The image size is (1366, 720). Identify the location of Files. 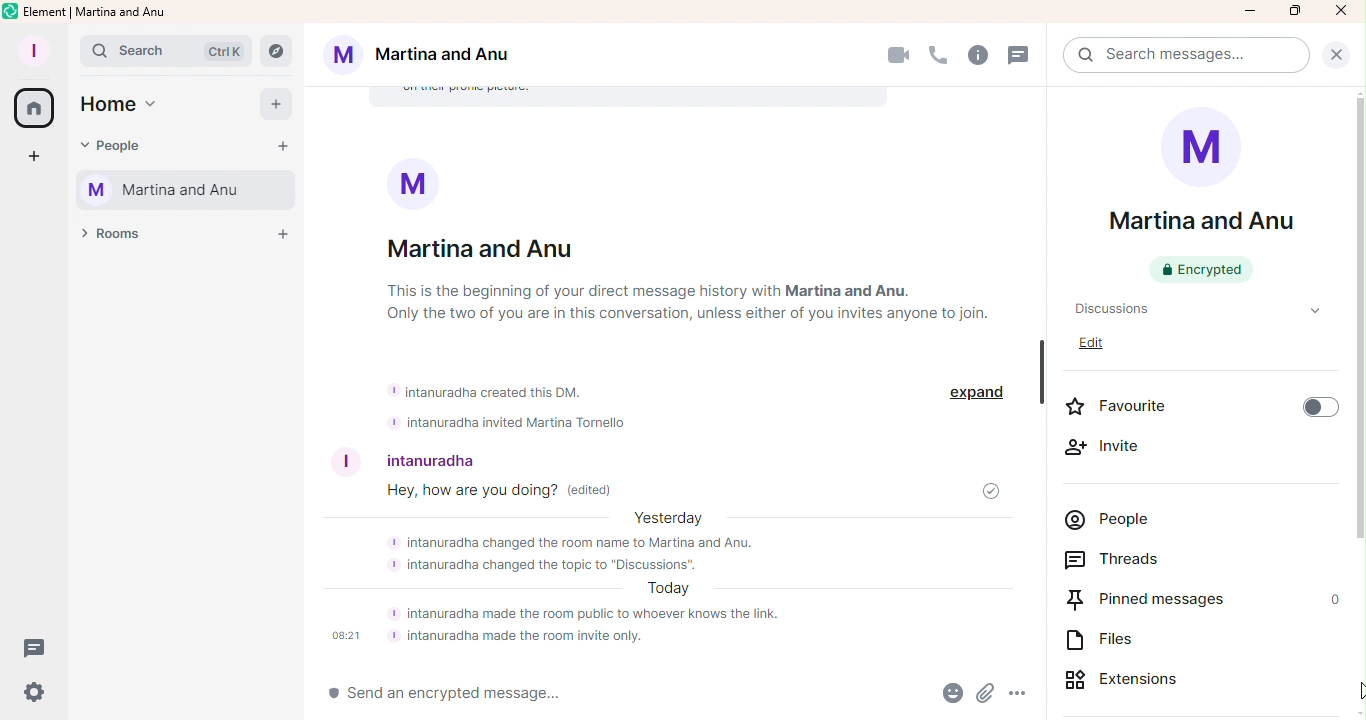
(1096, 642).